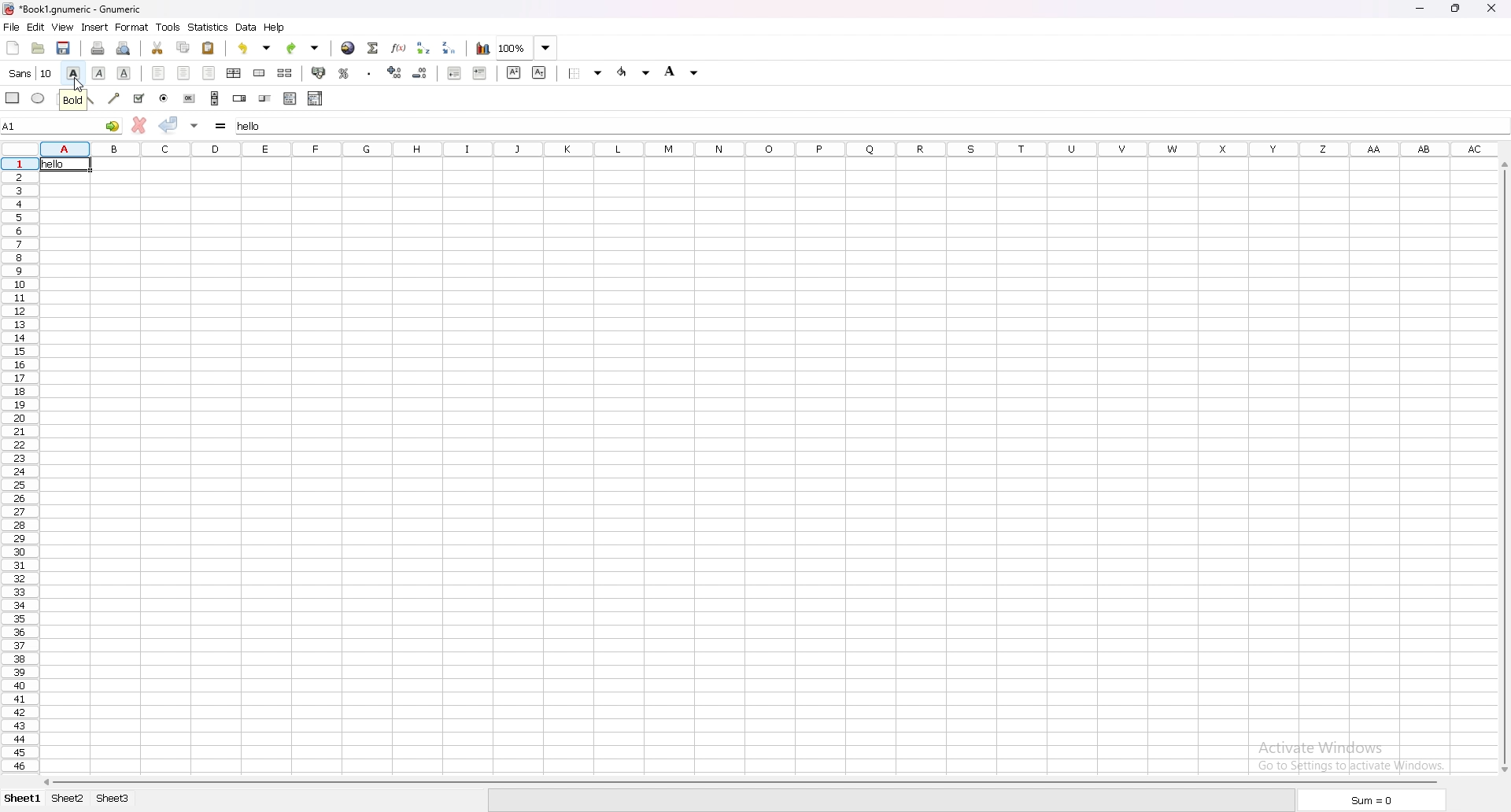  What do you see at coordinates (79, 85) in the screenshot?
I see `cursor` at bounding box center [79, 85].